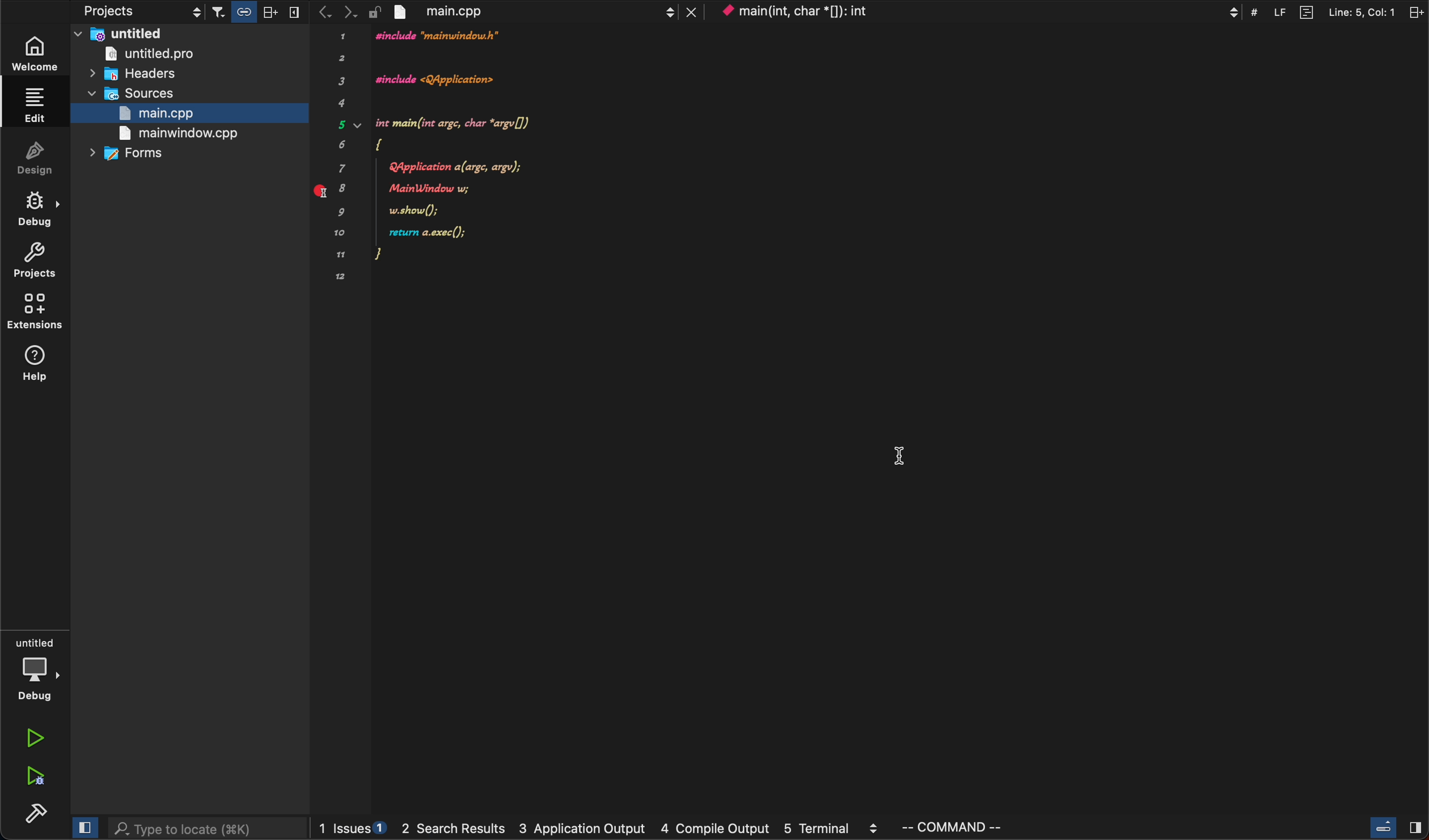  What do you see at coordinates (137, 76) in the screenshot?
I see `headers` at bounding box center [137, 76].